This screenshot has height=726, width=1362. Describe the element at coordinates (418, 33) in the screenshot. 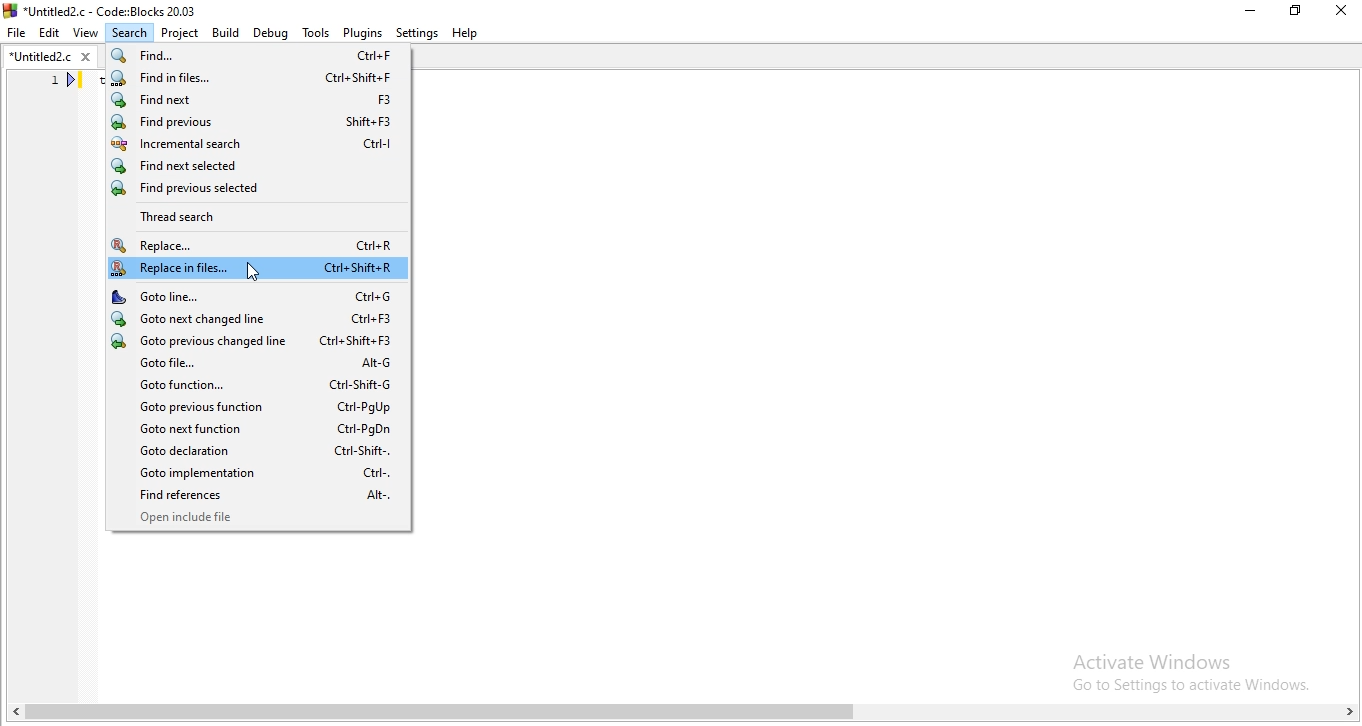

I see `settings` at that location.